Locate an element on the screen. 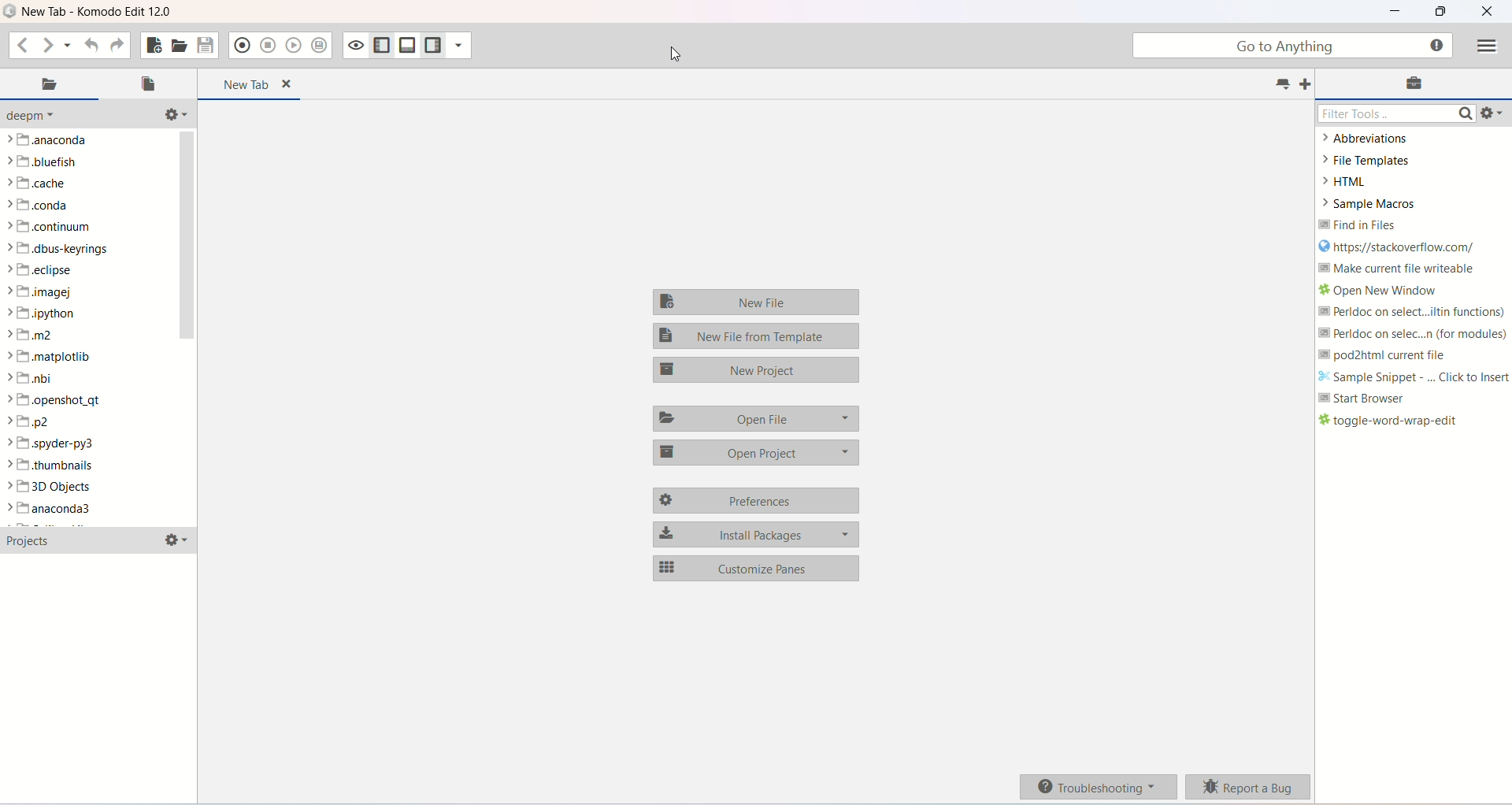  install packages is located at coordinates (758, 534).